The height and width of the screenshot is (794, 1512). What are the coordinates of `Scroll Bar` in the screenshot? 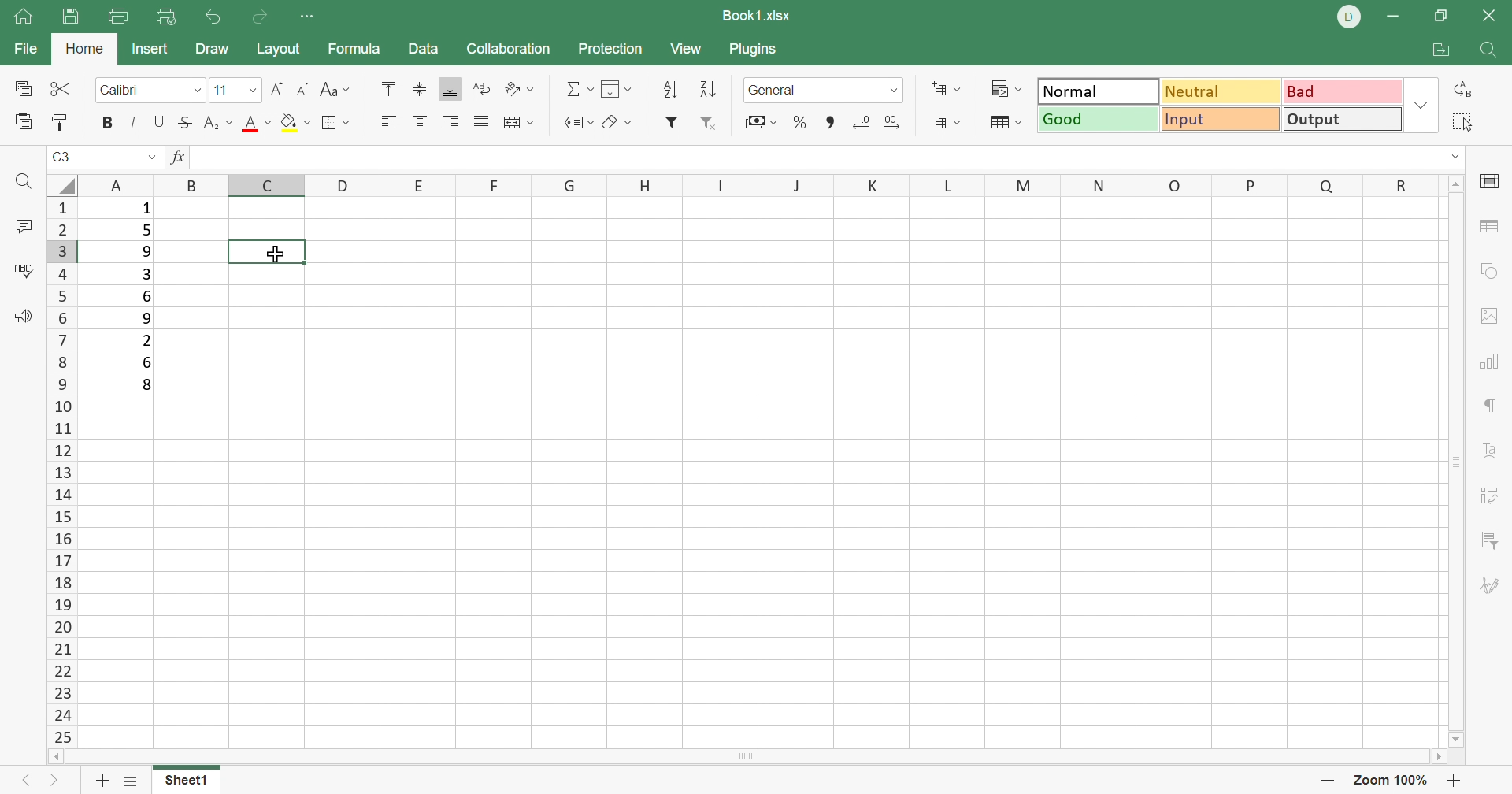 It's located at (829, 122).